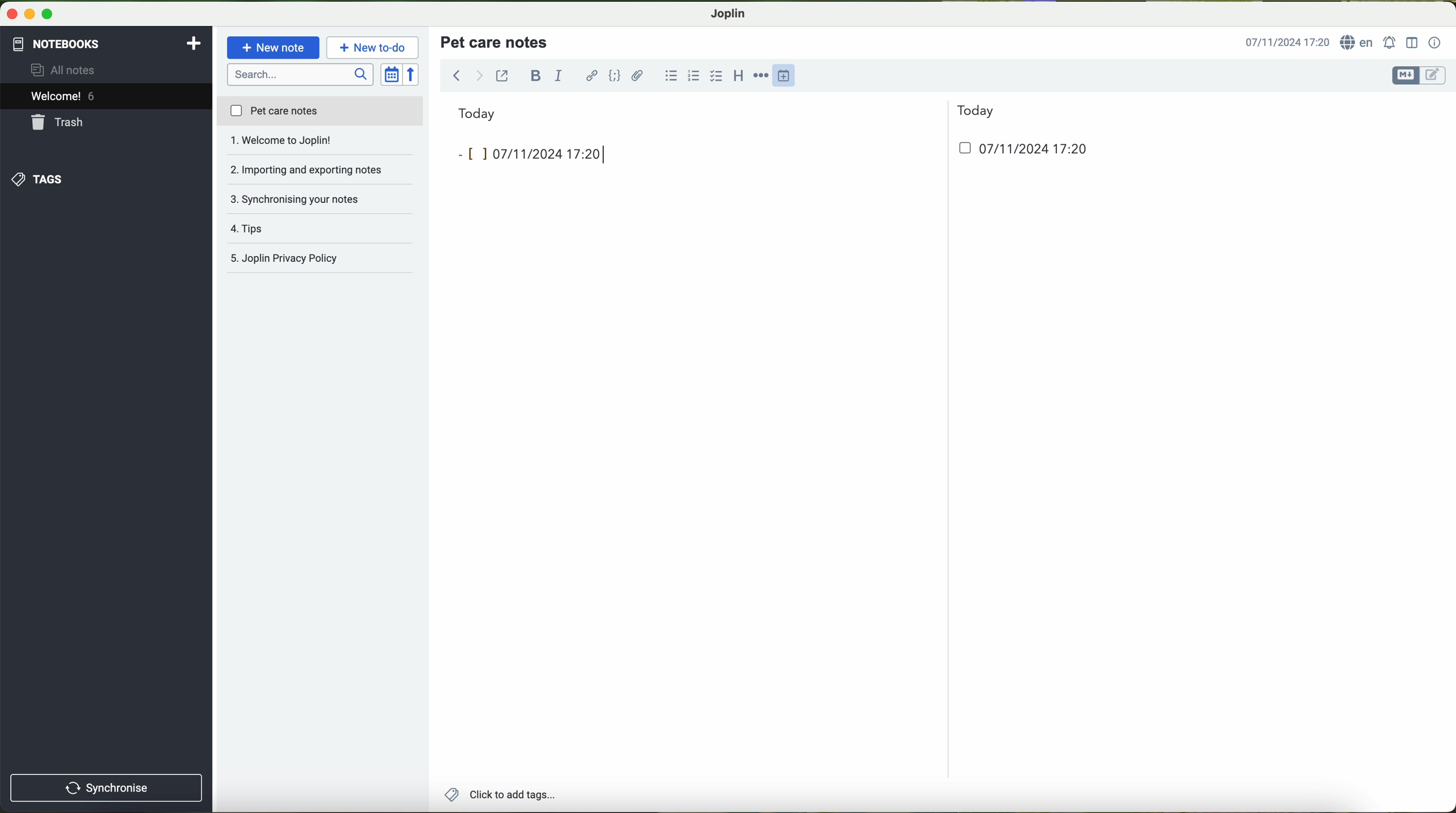 The image size is (1456, 813). Describe the element at coordinates (36, 179) in the screenshot. I see `tags` at that location.